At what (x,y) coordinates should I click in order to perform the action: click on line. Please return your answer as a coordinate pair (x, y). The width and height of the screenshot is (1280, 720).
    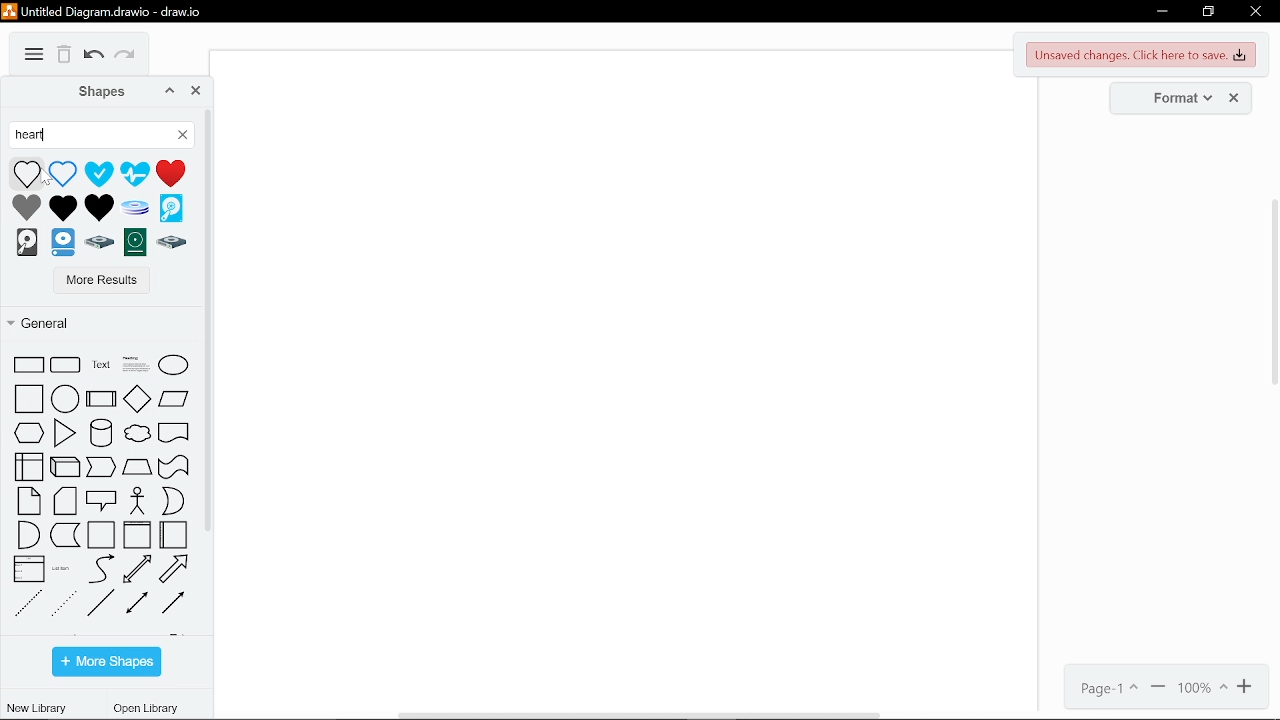
    Looking at the image, I should click on (102, 603).